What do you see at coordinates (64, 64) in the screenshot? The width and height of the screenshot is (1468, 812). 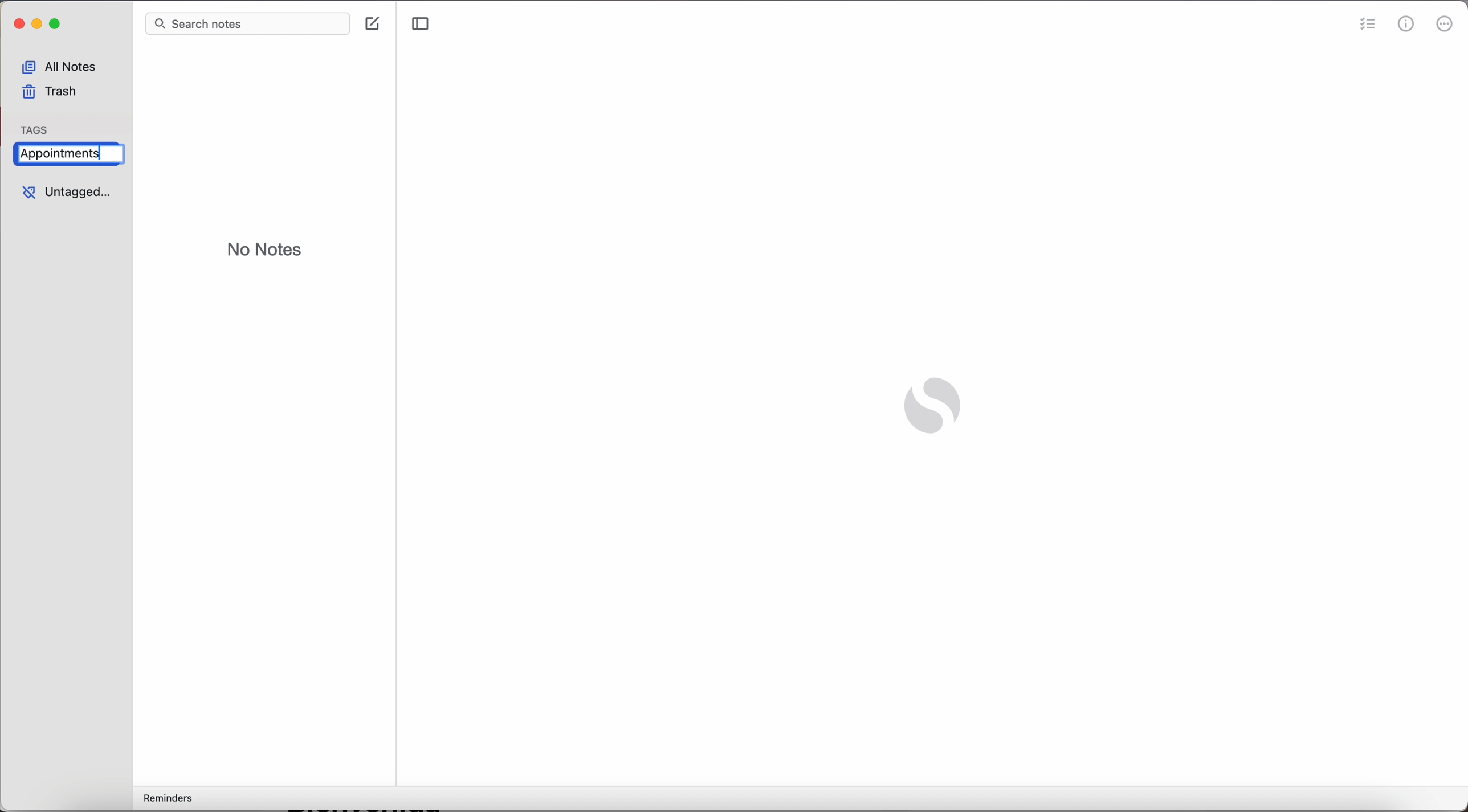 I see `all notes` at bounding box center [64, 64].